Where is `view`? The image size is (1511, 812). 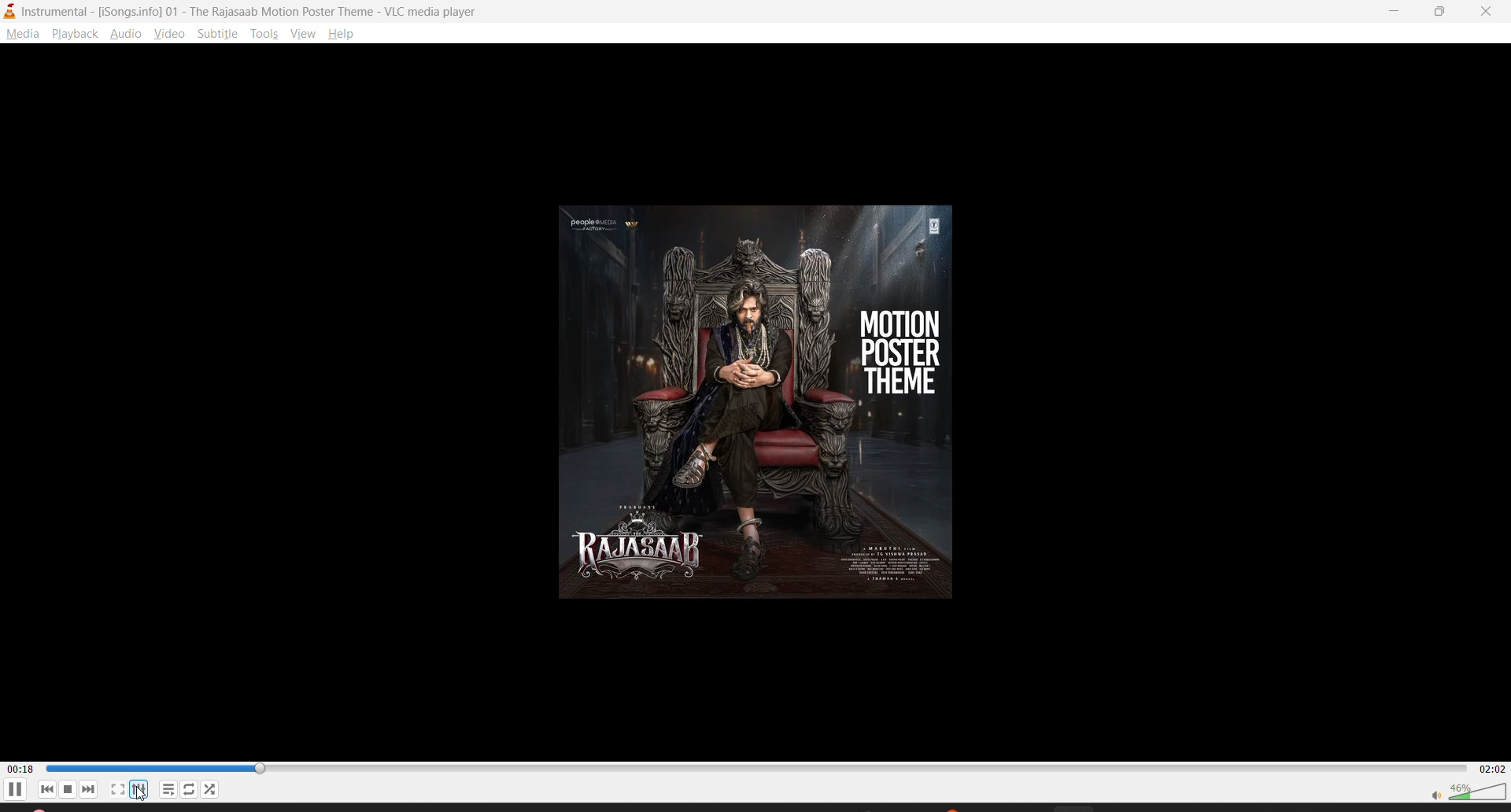
view is located at coordinates (168, 37).